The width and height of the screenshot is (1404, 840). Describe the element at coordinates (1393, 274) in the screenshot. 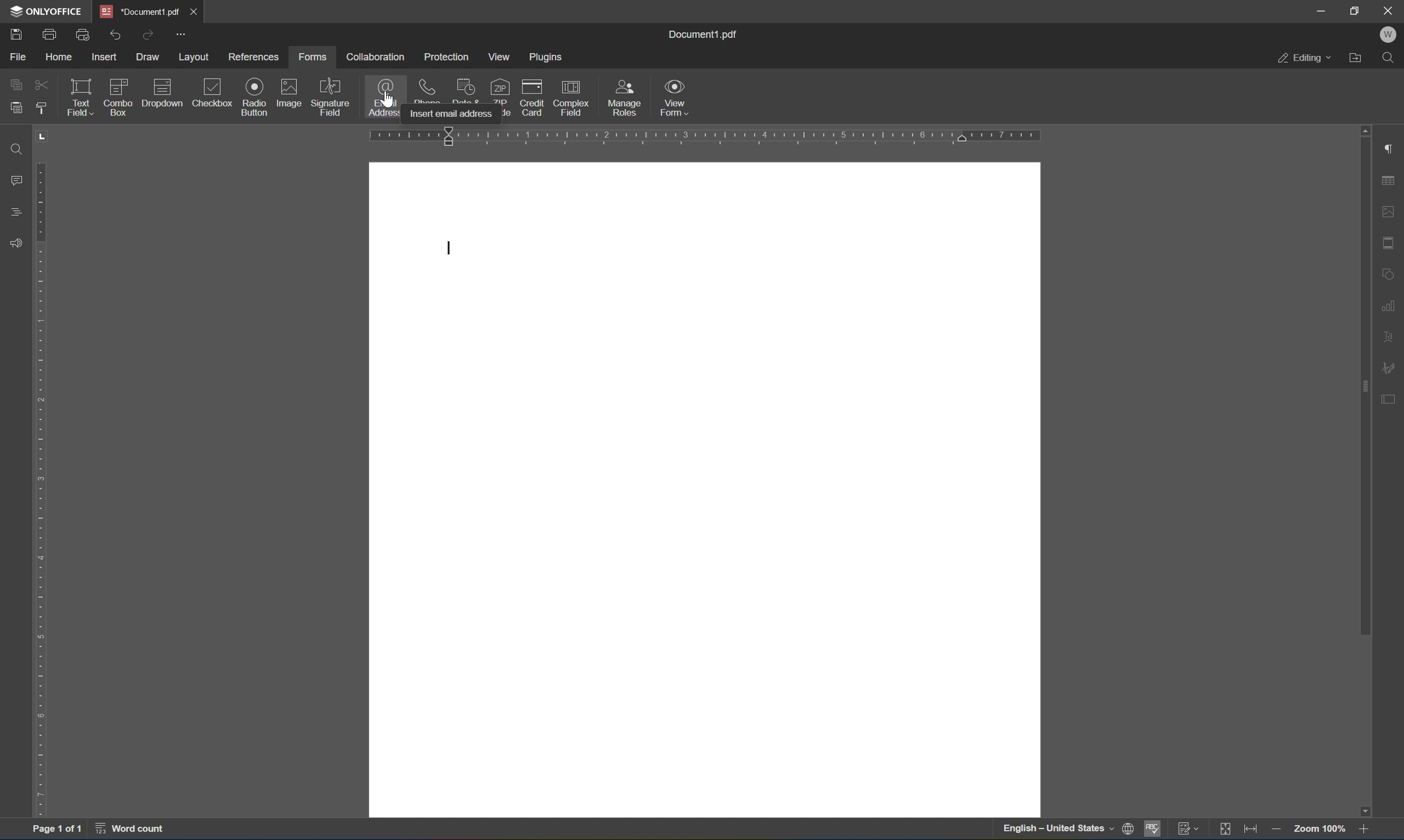

I see `shape settings` at that location.